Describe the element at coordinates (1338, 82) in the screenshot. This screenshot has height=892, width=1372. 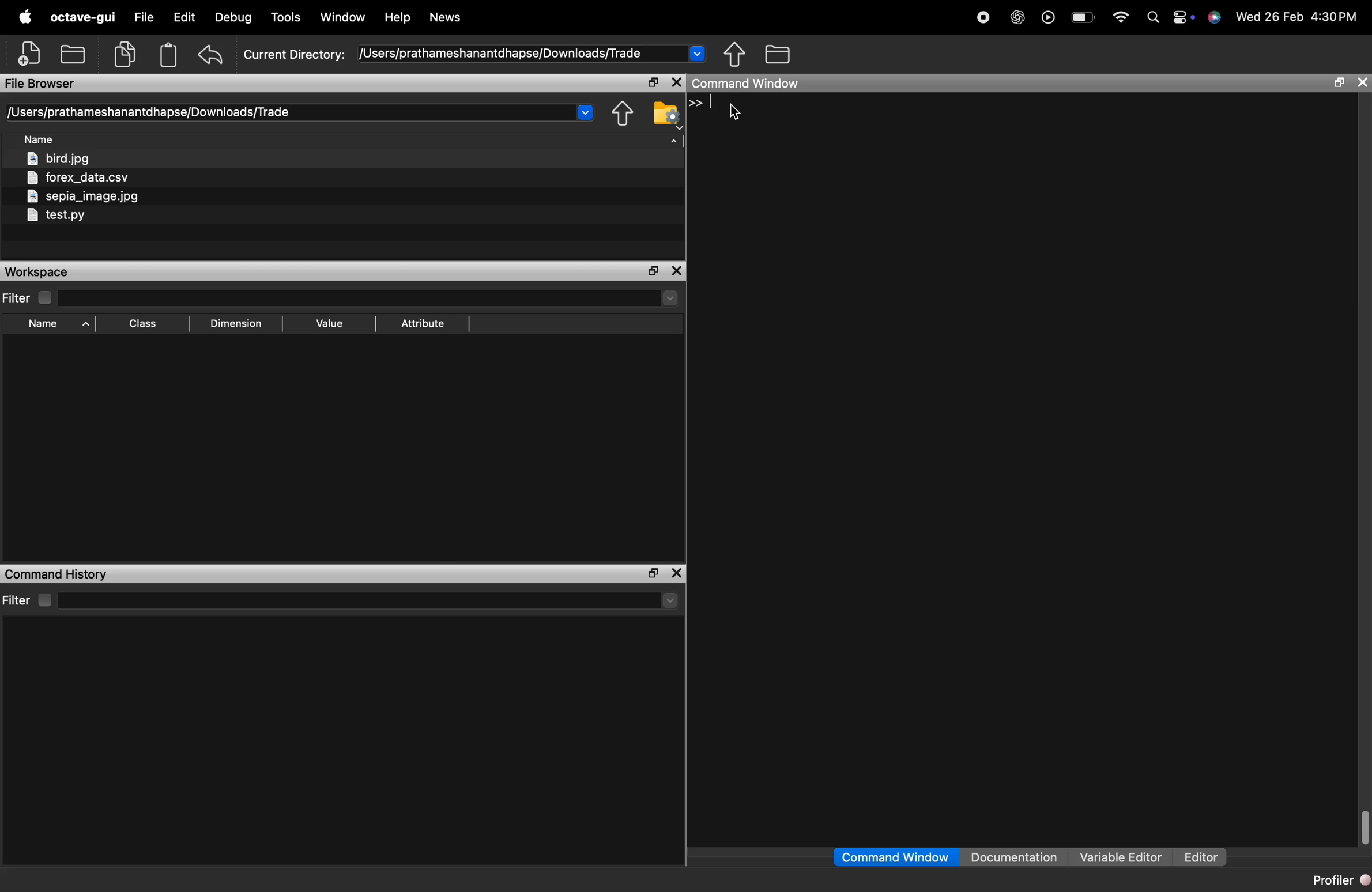
I see `open in separate window` at that location.